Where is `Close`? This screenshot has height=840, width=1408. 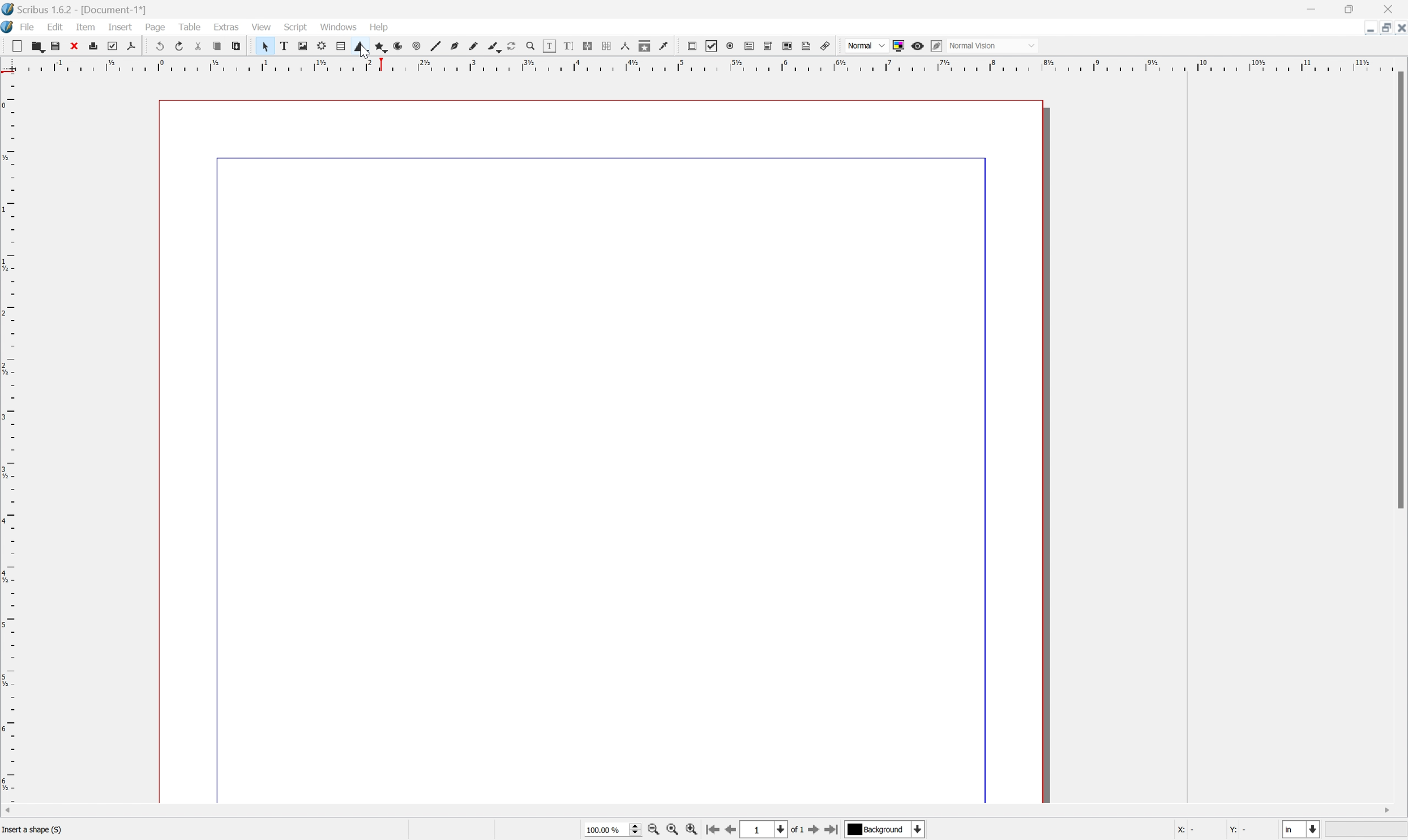
Close is located at coordinates (1399, 29).